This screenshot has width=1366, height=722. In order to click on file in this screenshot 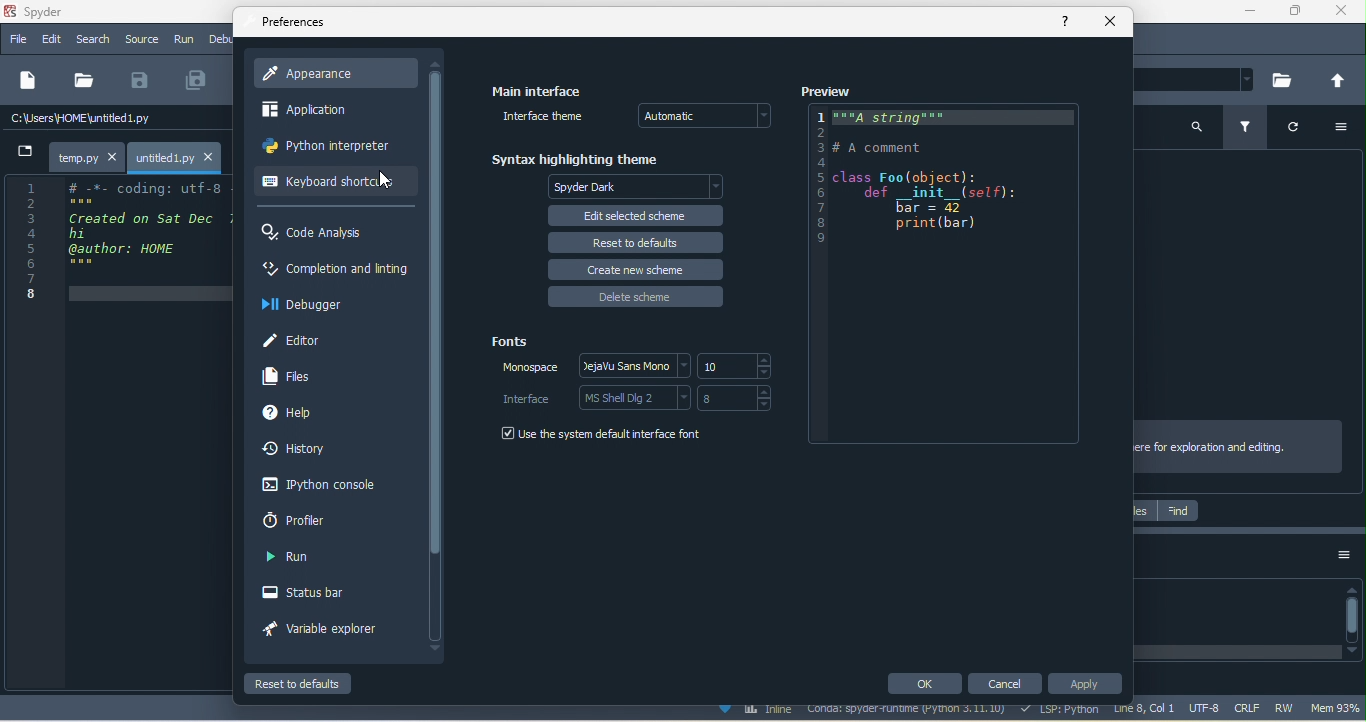, I will do `click(86, 79)`.